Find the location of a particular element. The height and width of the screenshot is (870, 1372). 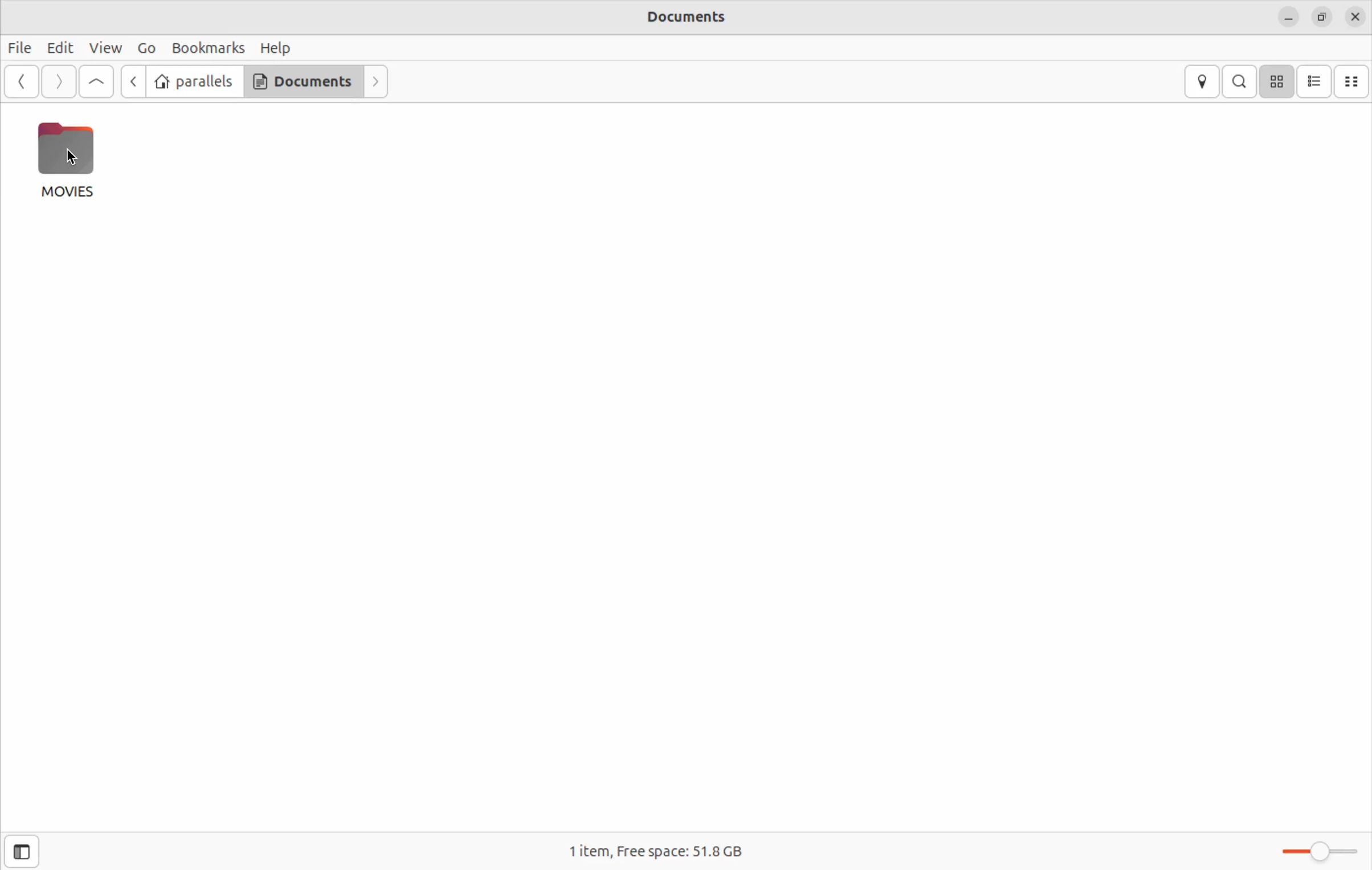

icon view is located at coordinates (1277, 80).